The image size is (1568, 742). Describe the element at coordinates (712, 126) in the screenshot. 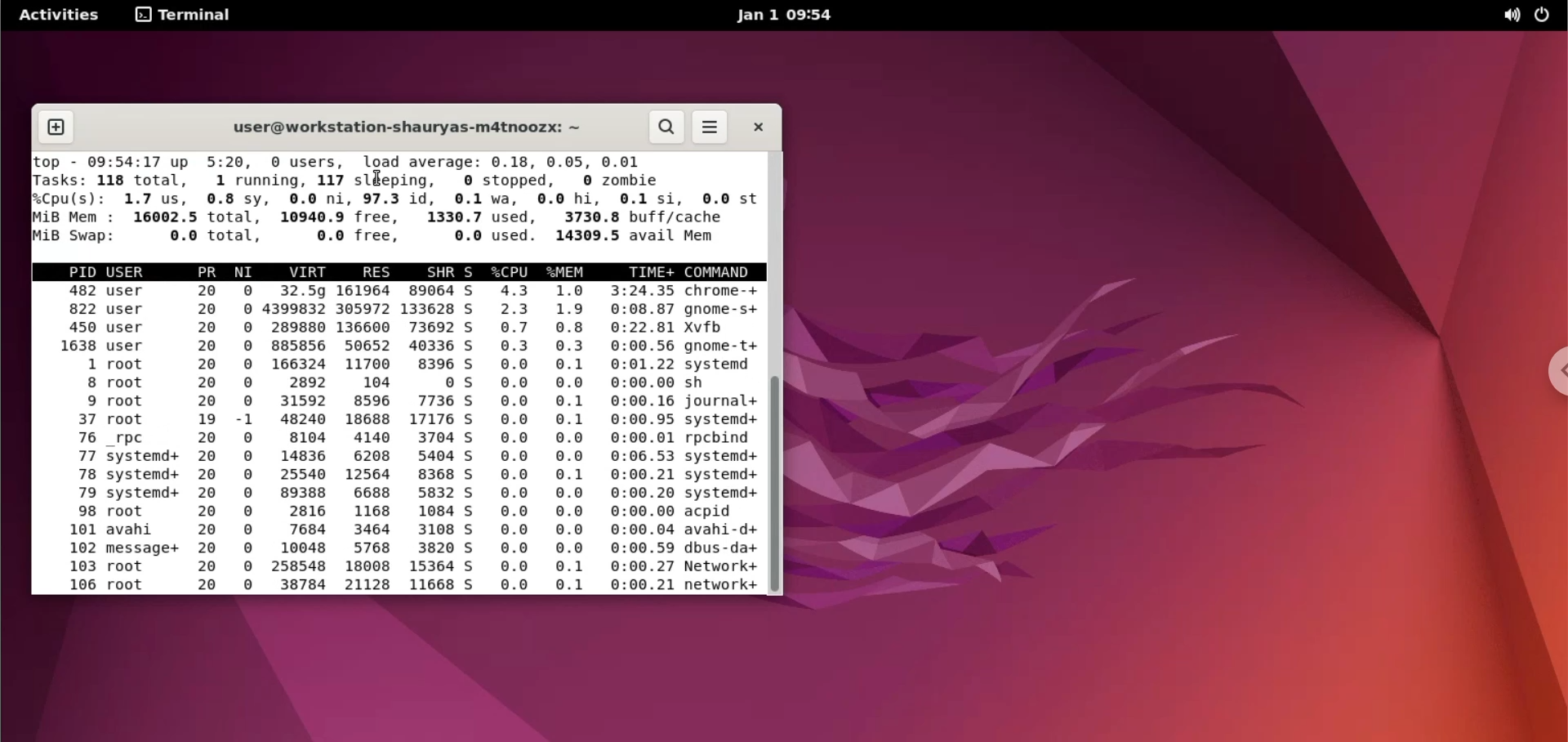

I see `more options` at that location.